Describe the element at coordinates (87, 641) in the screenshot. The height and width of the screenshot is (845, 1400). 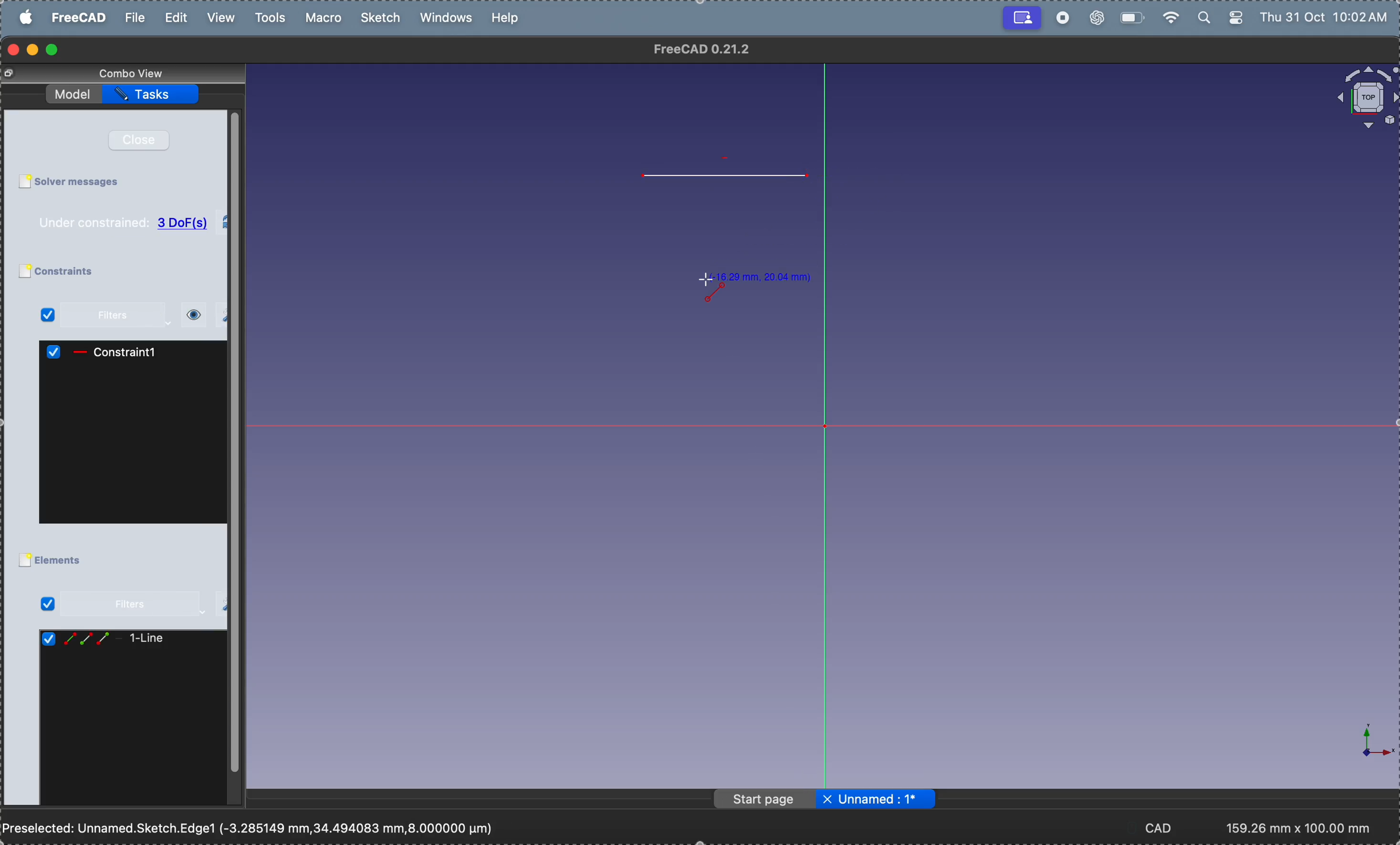
I see `line icons` at that location.